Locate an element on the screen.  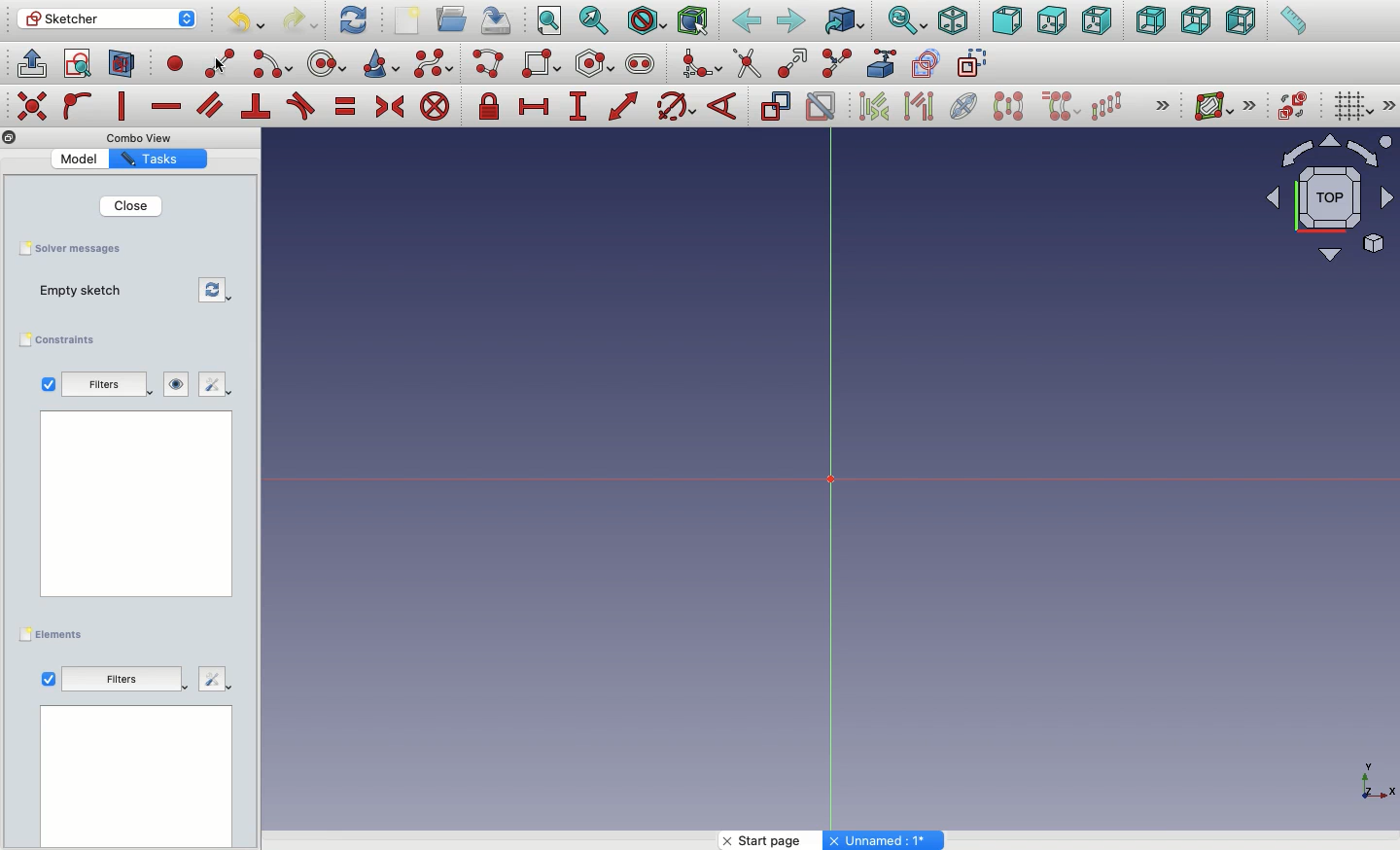
arc is located at coordinates (273, 64).